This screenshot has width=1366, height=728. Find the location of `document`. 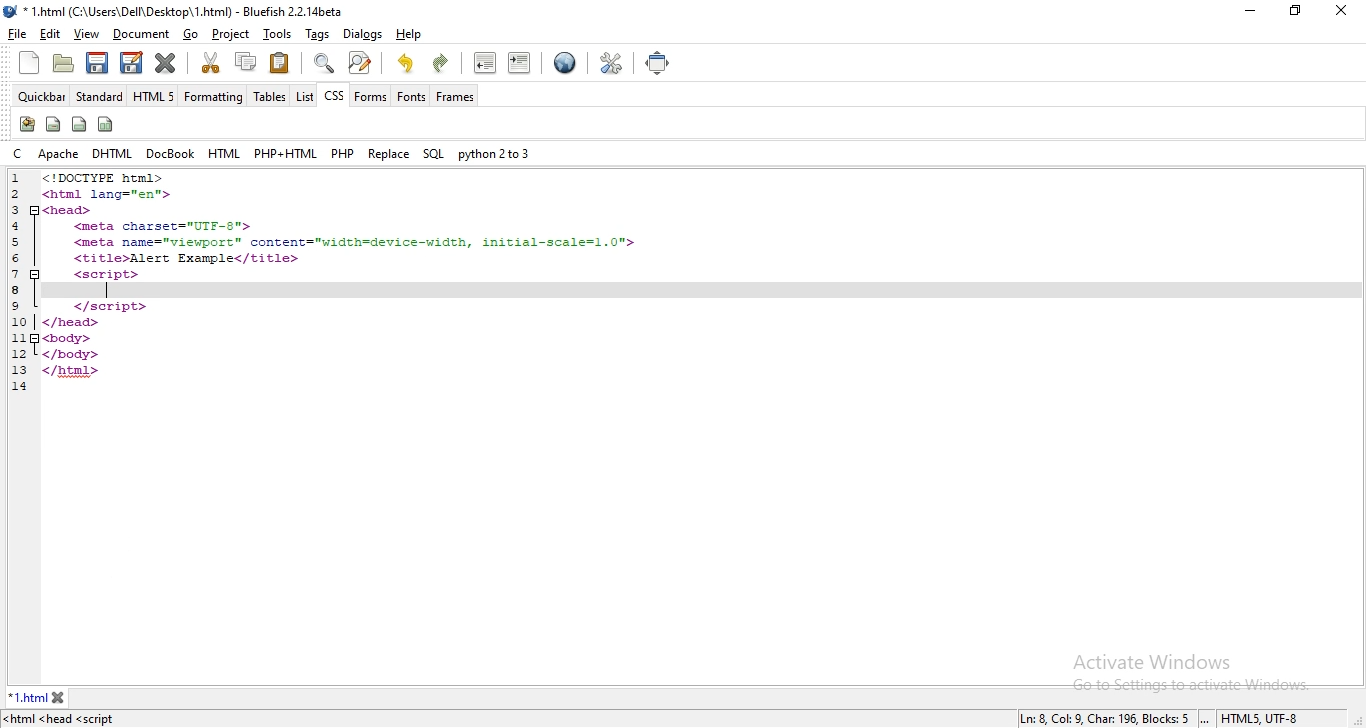

document is located at coordinates (140, 33).